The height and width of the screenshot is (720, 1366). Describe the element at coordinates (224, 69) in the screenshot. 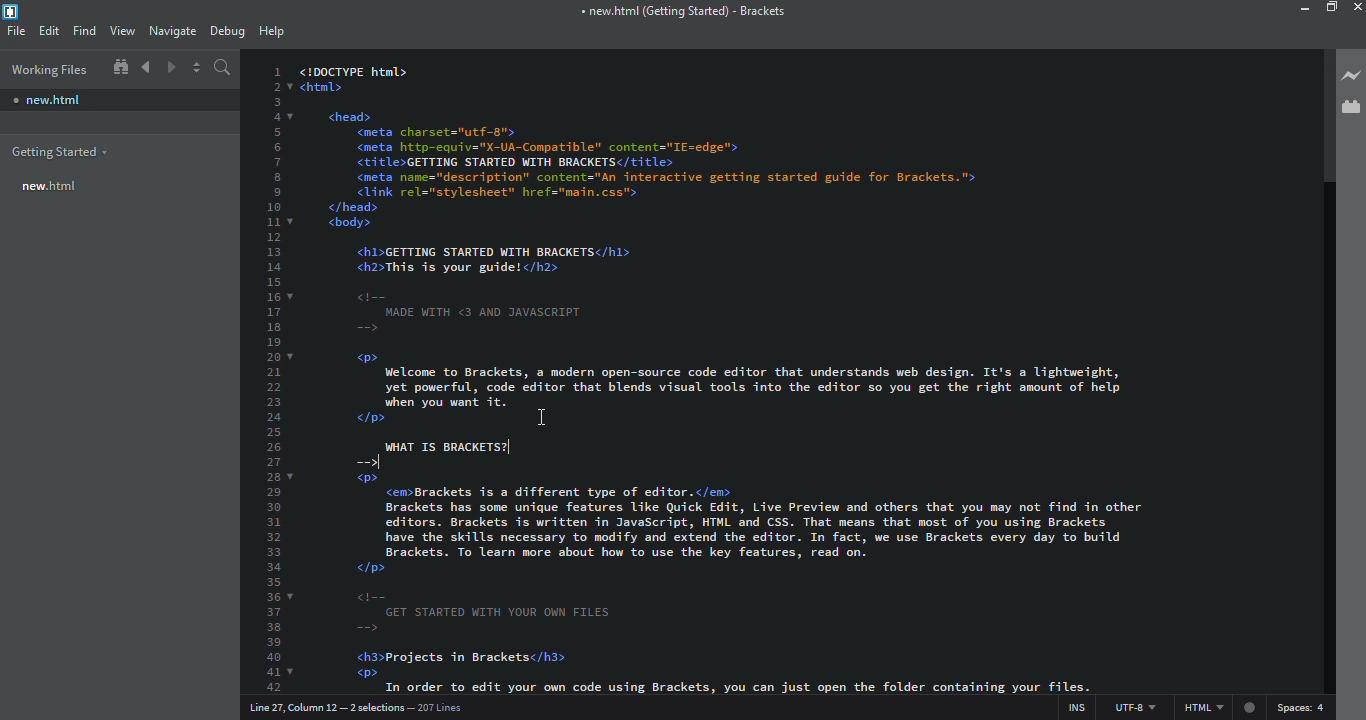

I see `search` at that location.